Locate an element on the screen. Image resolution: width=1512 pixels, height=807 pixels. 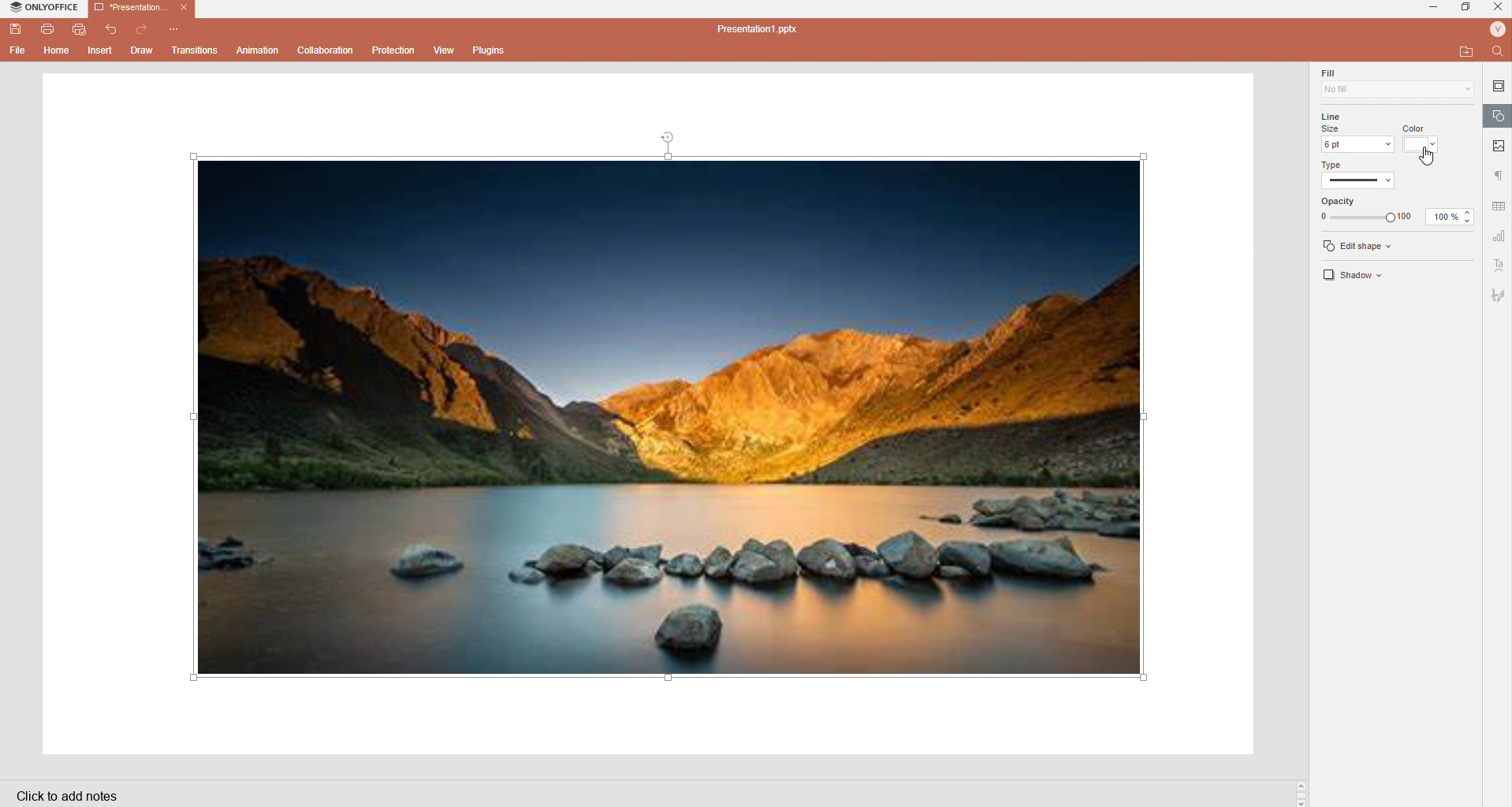
Line color is located at coordinates (1430, 132).